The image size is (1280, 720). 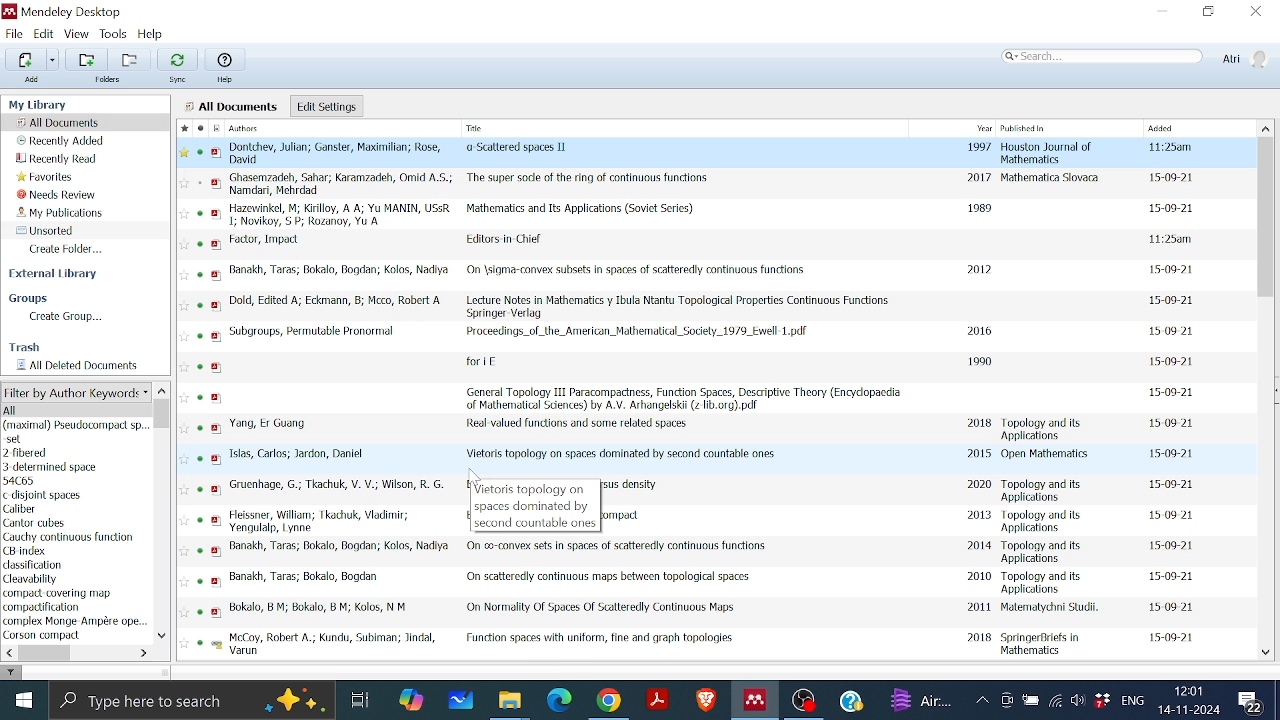 I want to click on Profile, so click(x=1245, y=60).